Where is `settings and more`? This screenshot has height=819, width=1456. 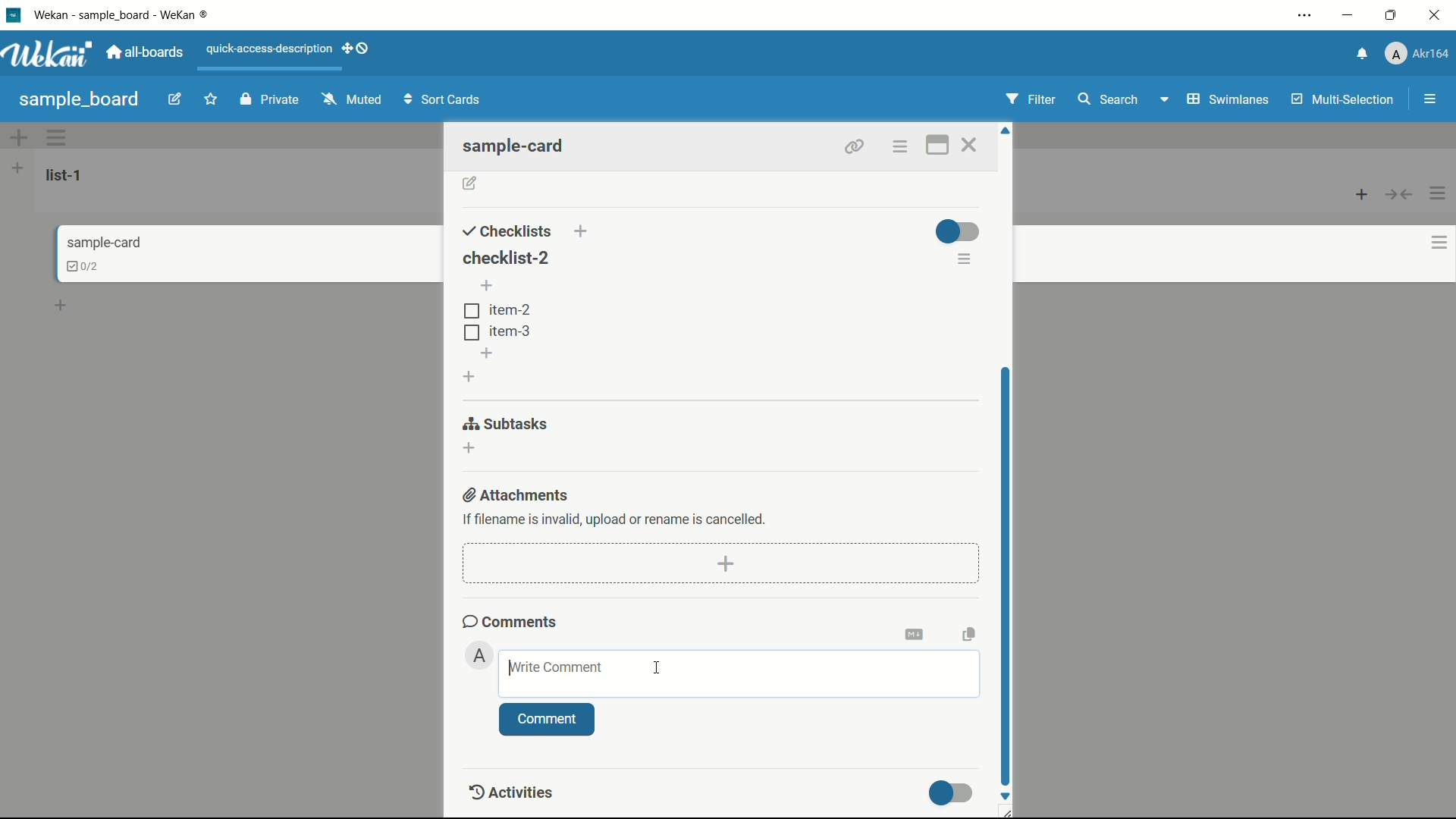
settings and more is located at coordinates (1304, 14).